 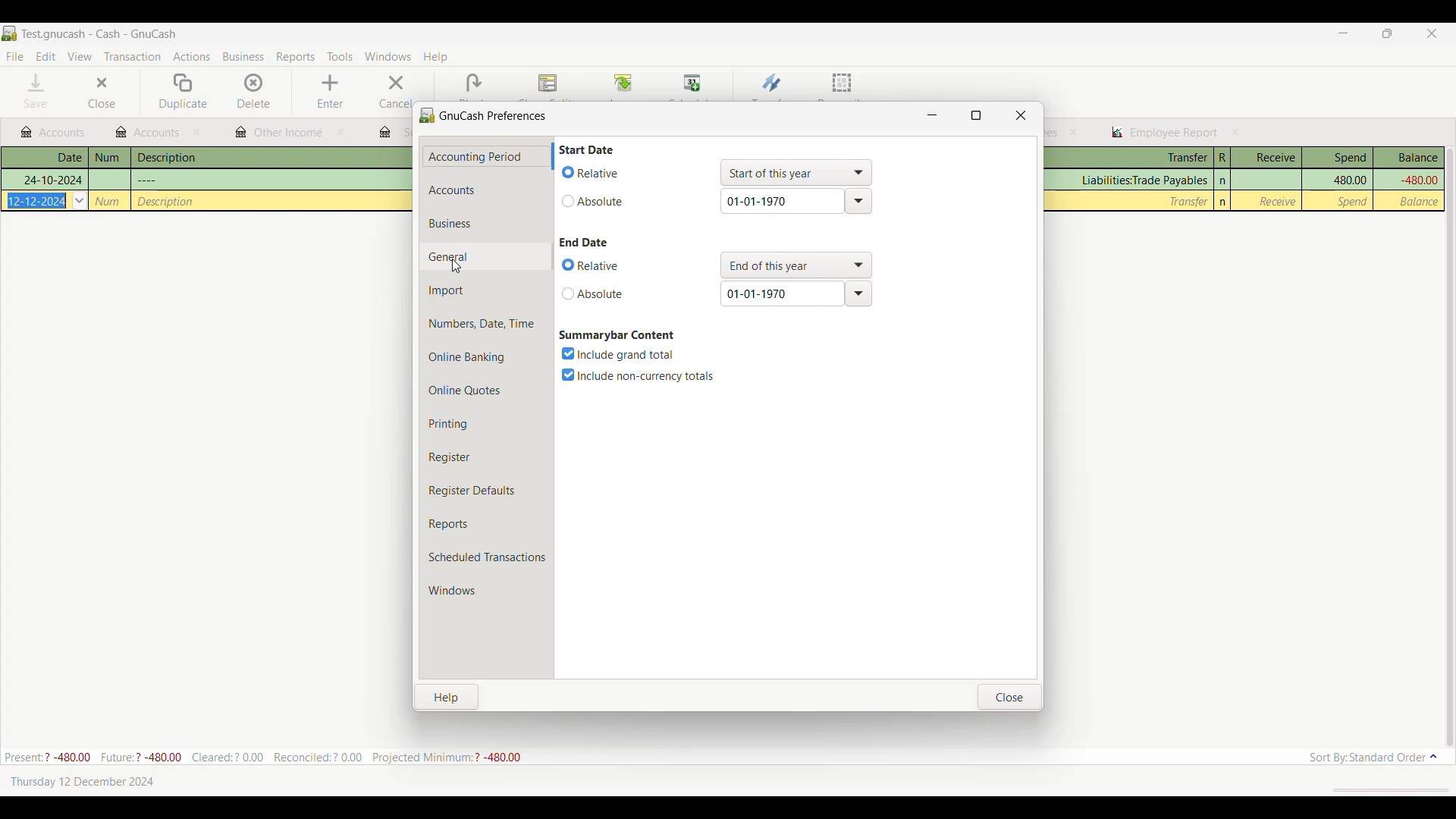 I want to click on Reports, so click(x=486, y=524).